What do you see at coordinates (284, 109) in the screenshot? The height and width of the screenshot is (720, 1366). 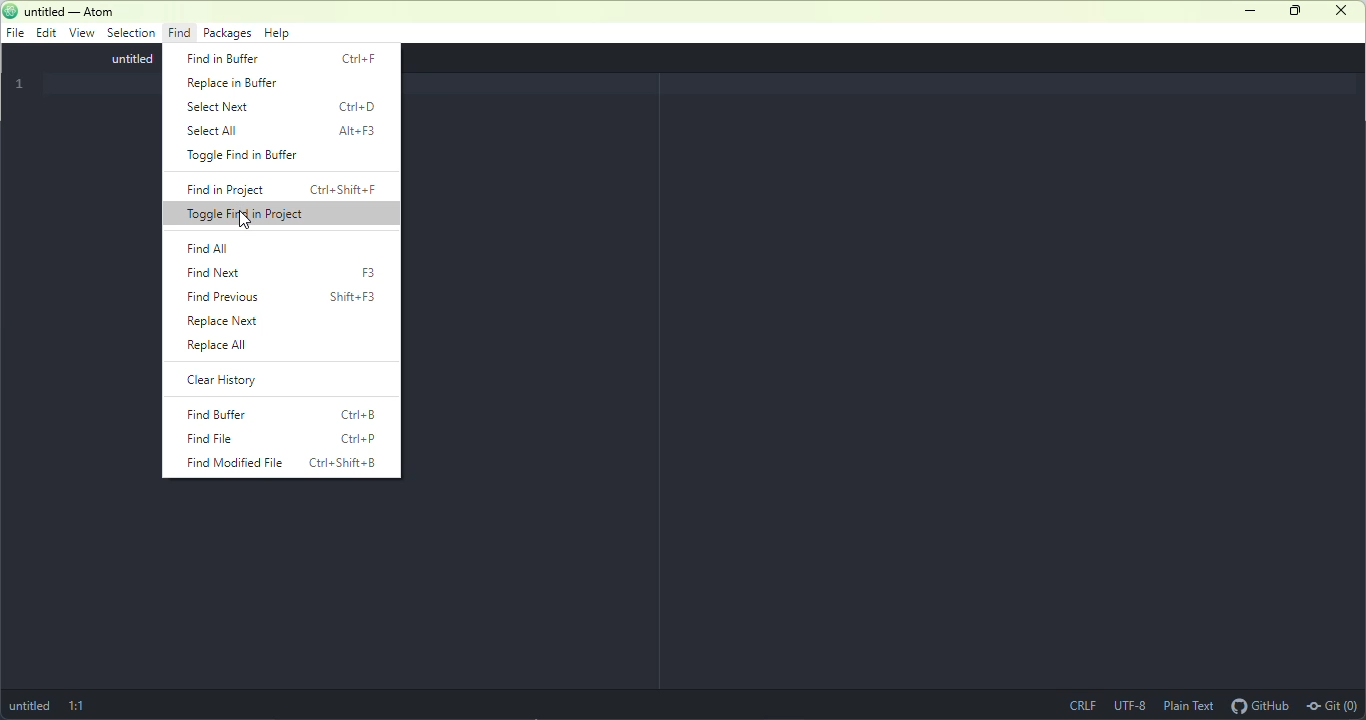 I see `select next` at bounding box center [284, 109].